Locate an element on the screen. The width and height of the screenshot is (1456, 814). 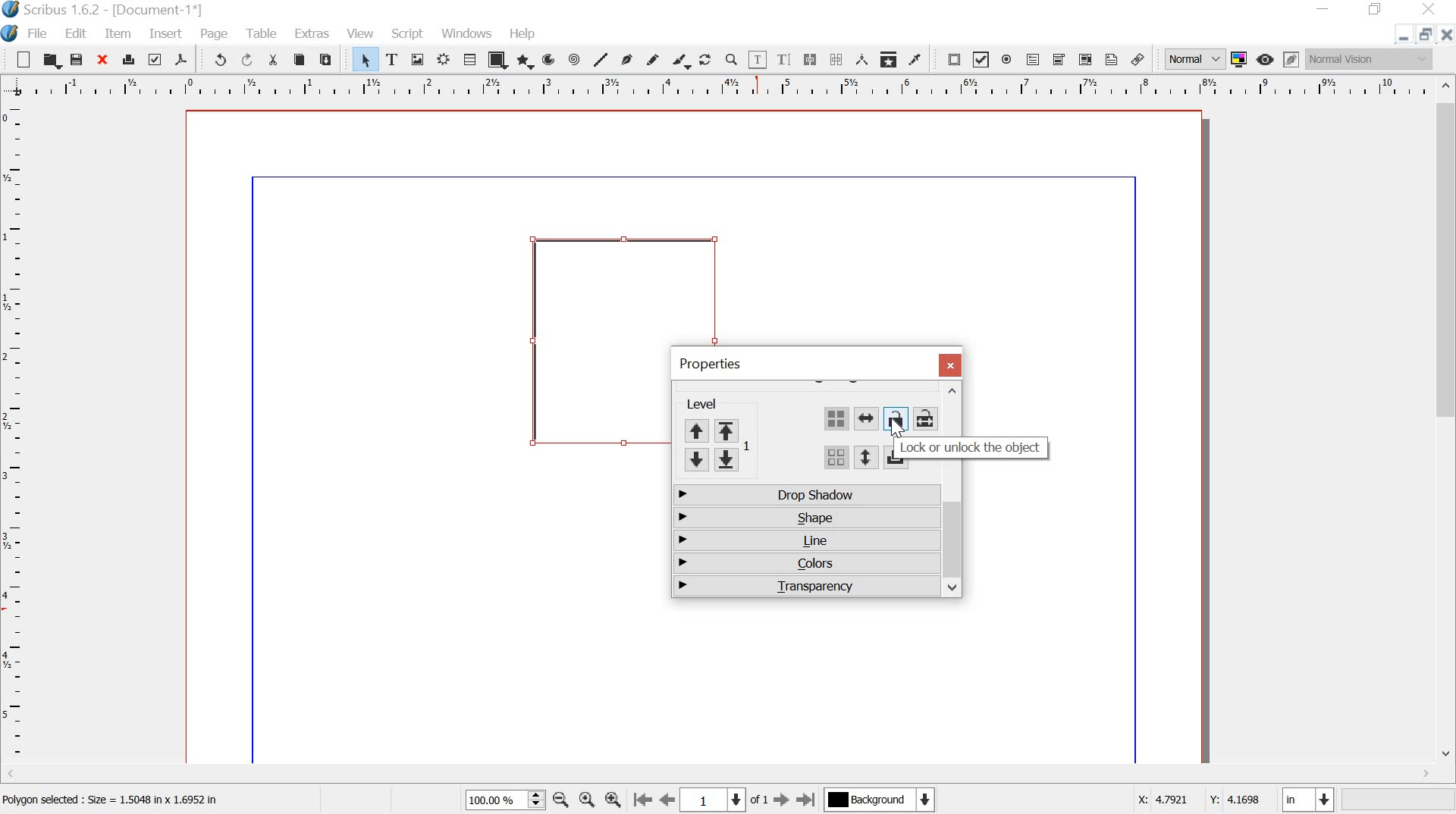
paste is located at coordinates (329, 61).